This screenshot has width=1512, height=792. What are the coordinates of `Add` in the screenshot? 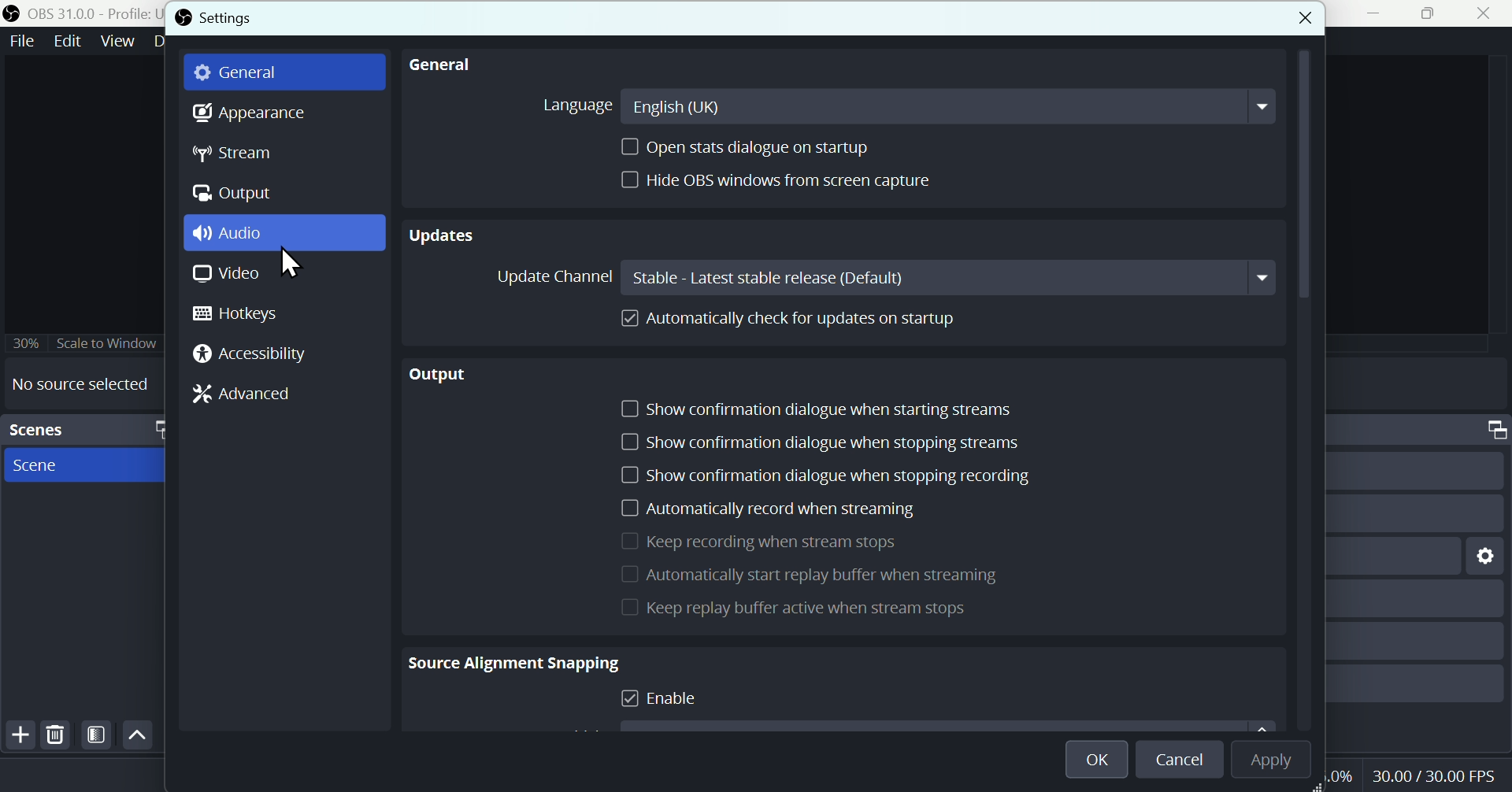 It's located at (18, 735).